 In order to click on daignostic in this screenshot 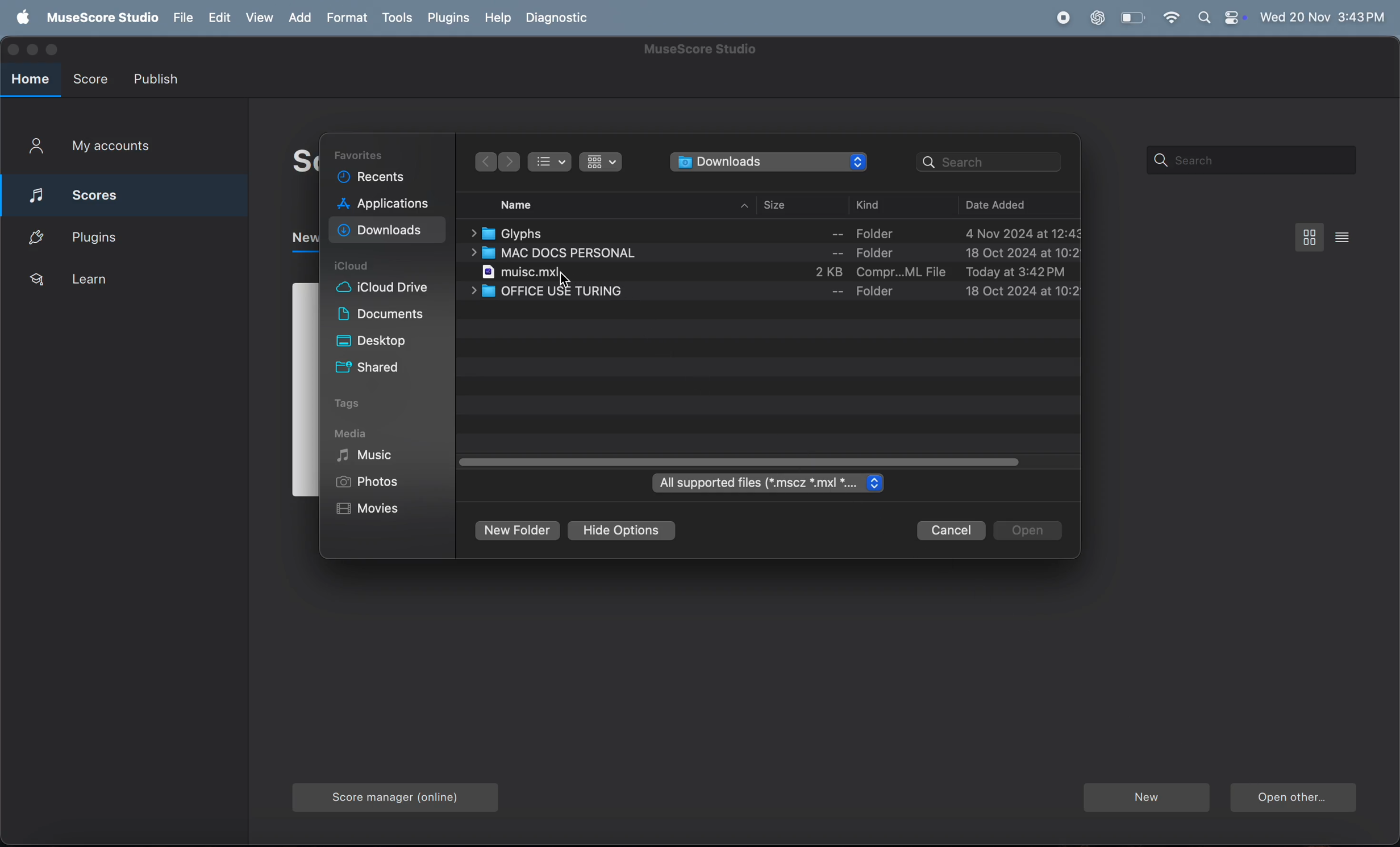, I will do `click(564, 18)`.